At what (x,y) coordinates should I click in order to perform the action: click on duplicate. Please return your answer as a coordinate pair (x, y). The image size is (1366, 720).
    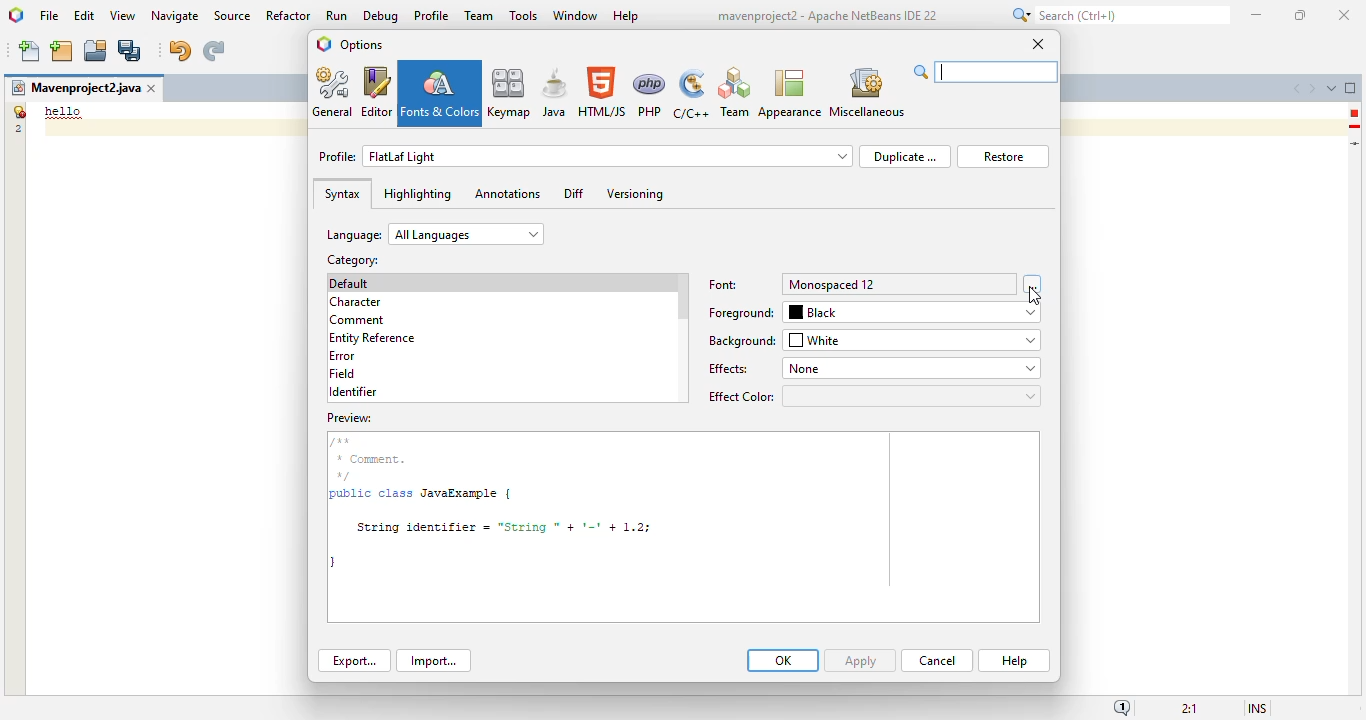
    Looking at the image, I should click on (904, 156).